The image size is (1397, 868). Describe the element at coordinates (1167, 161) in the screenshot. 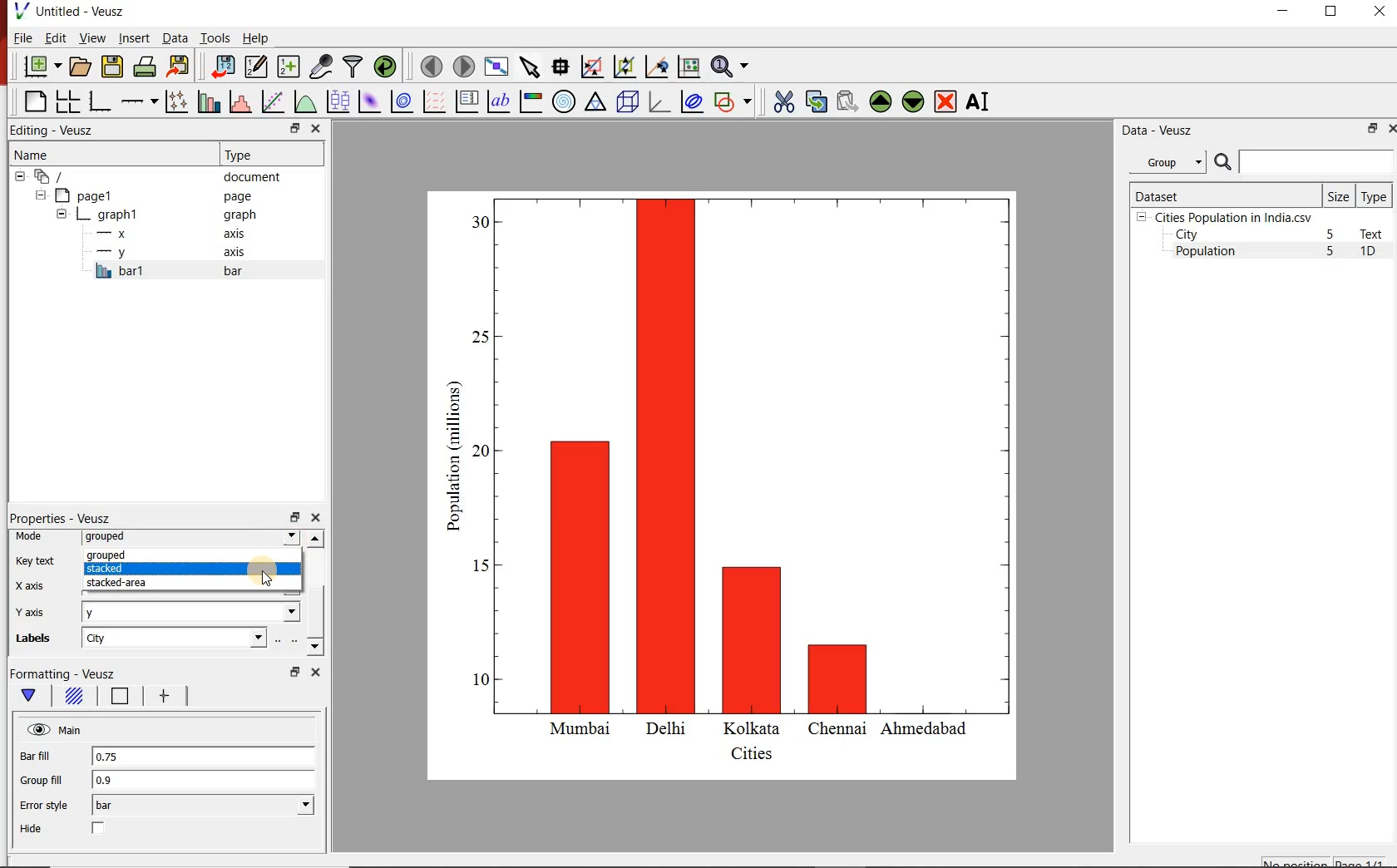

I see `Group datasets with property given` at that location.